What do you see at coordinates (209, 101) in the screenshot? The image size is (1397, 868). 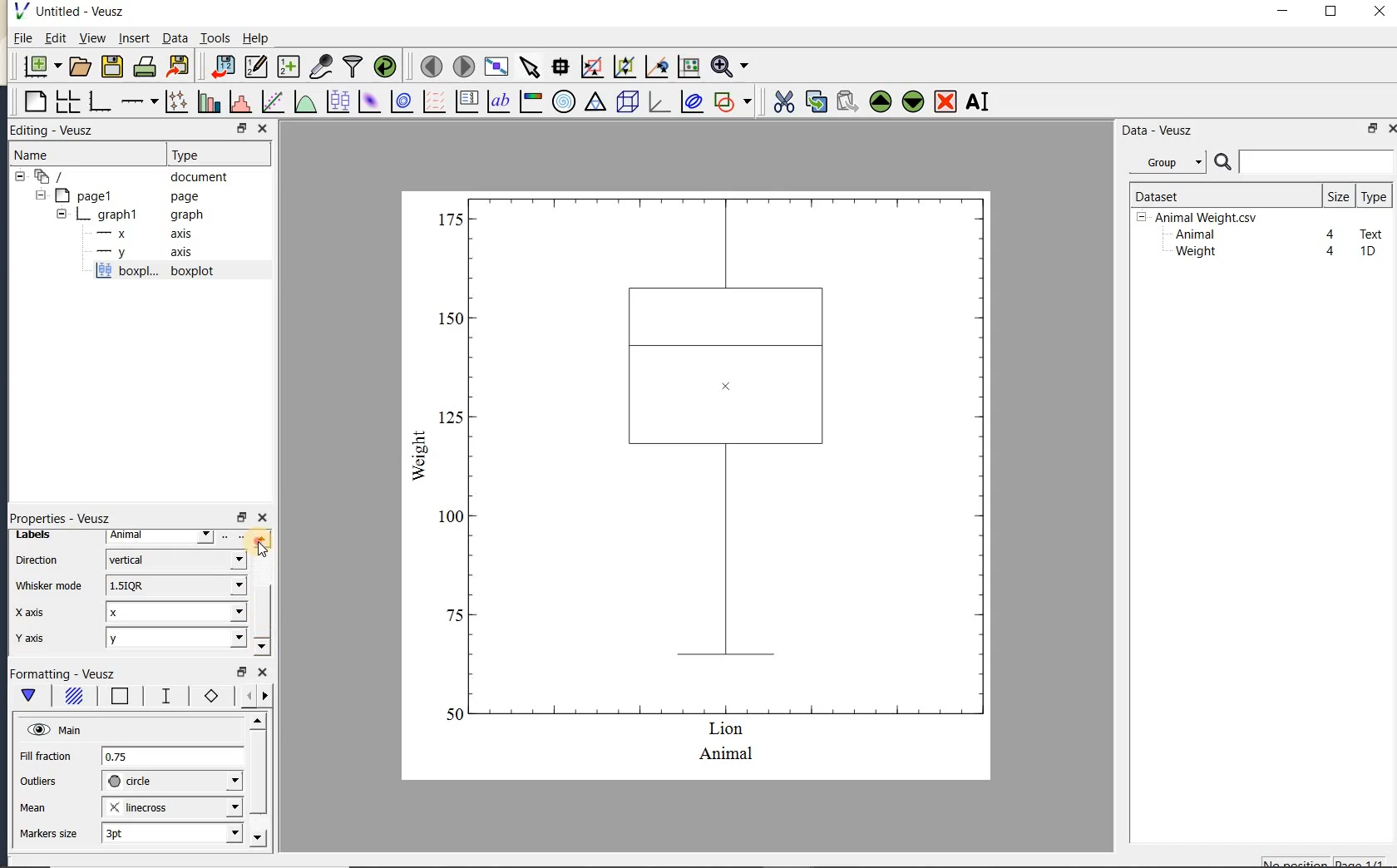 I see `plot bar charts` at bounding box center [209, 101].